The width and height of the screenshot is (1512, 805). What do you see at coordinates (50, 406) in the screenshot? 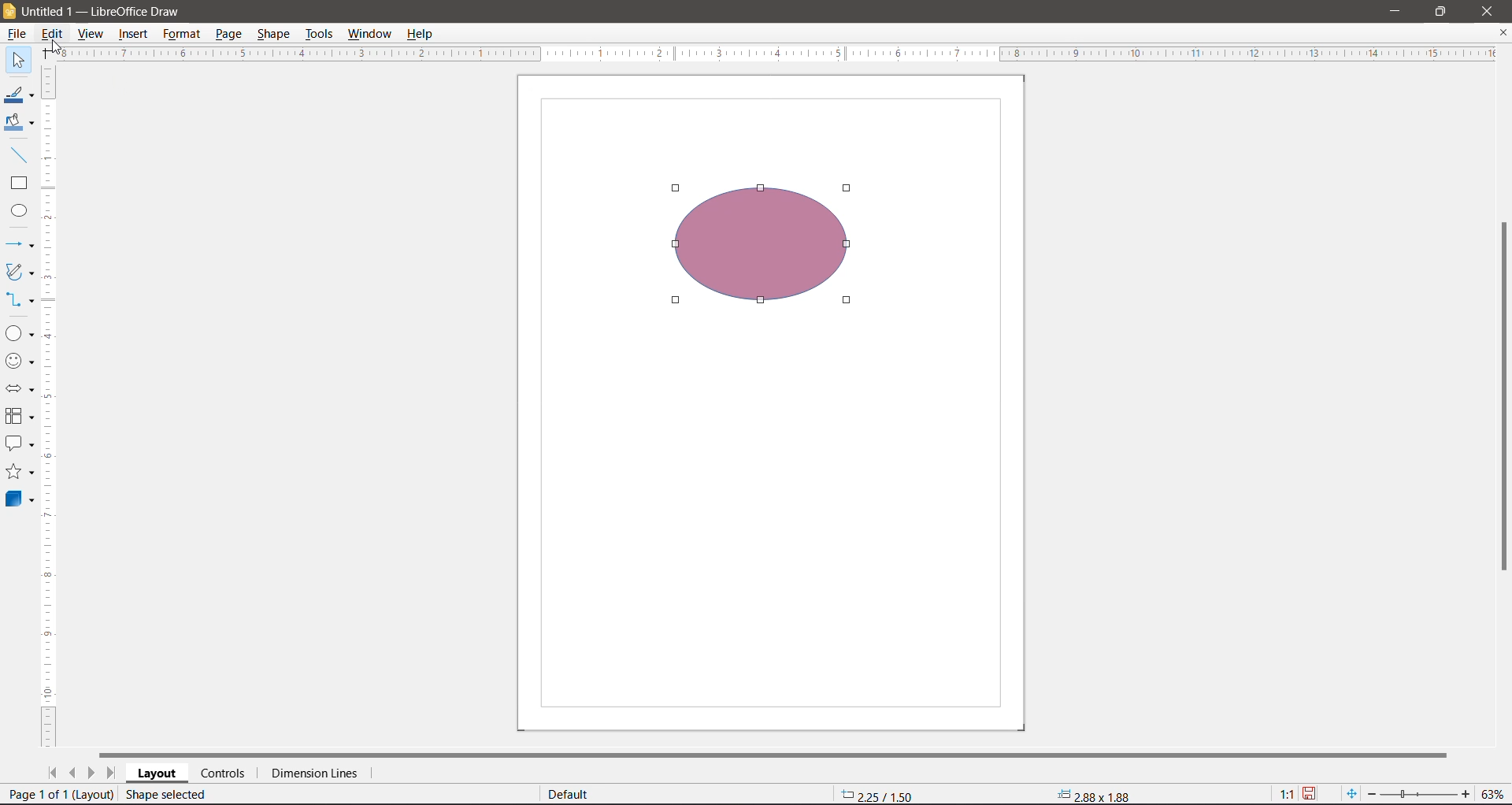
I see `Vertical Ruler` at bounding box center [50, 406].